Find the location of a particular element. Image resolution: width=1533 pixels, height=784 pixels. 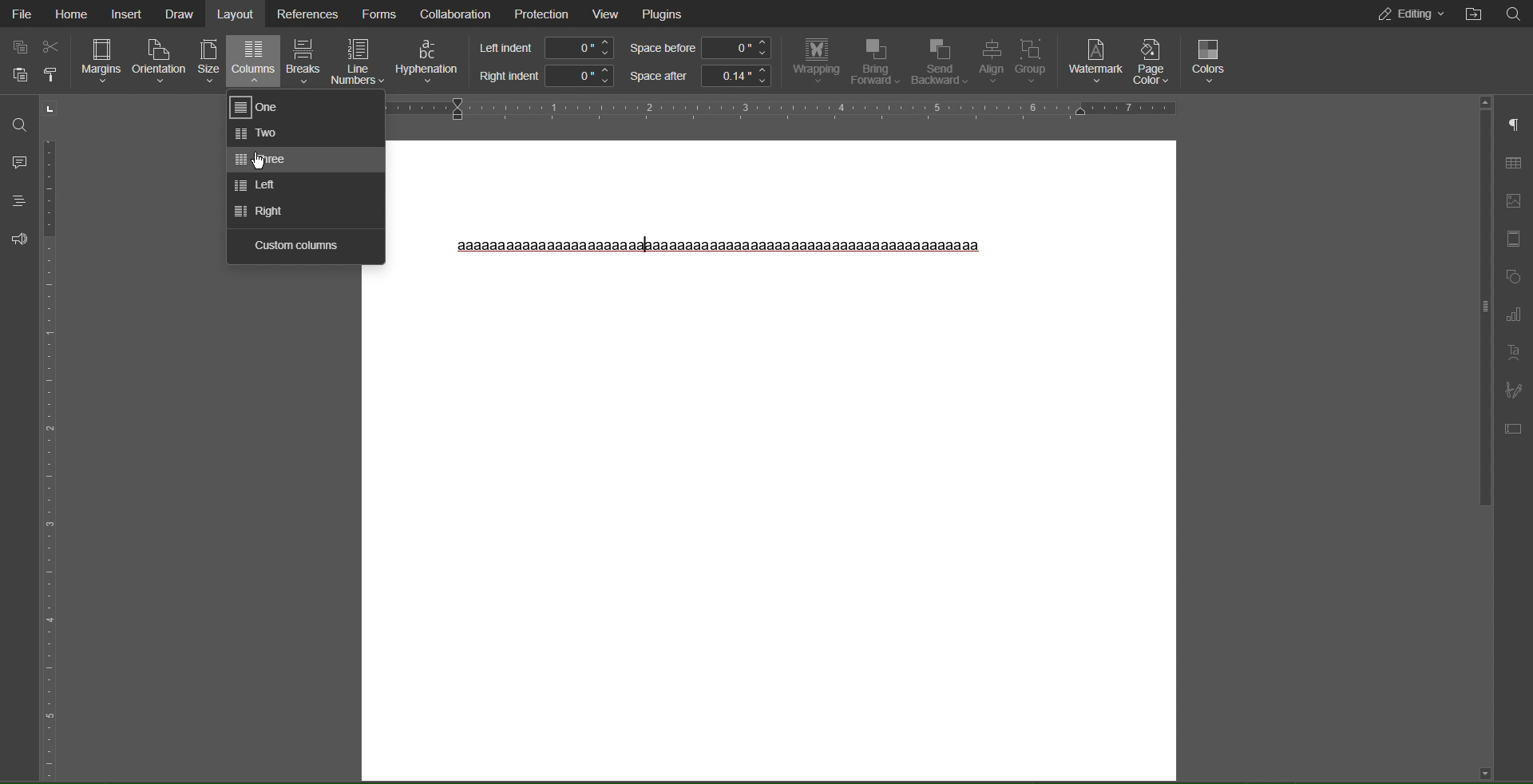

Shape Settings is located at coordinates (1514, 278).